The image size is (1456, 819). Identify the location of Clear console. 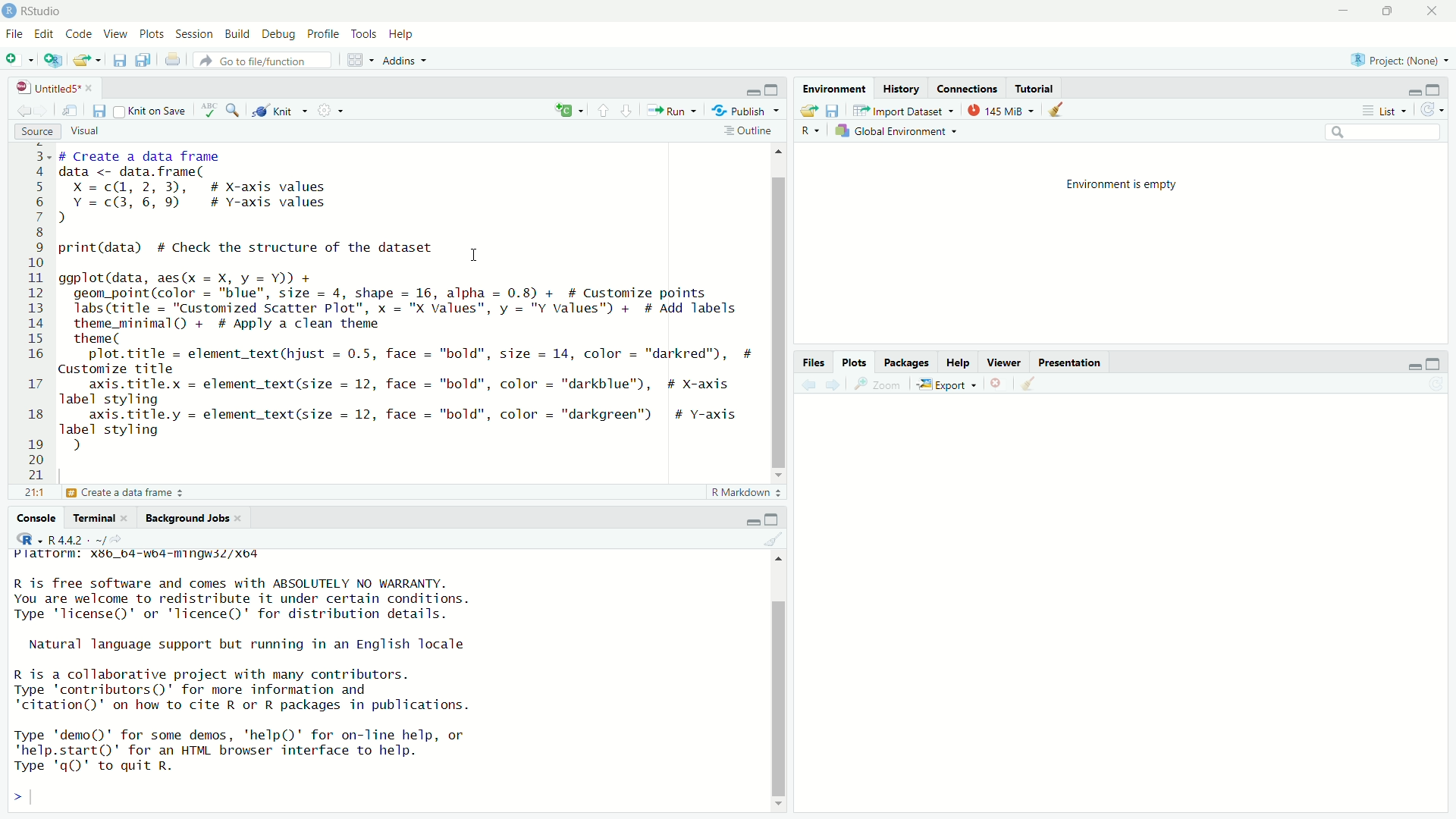
(1032, 385).